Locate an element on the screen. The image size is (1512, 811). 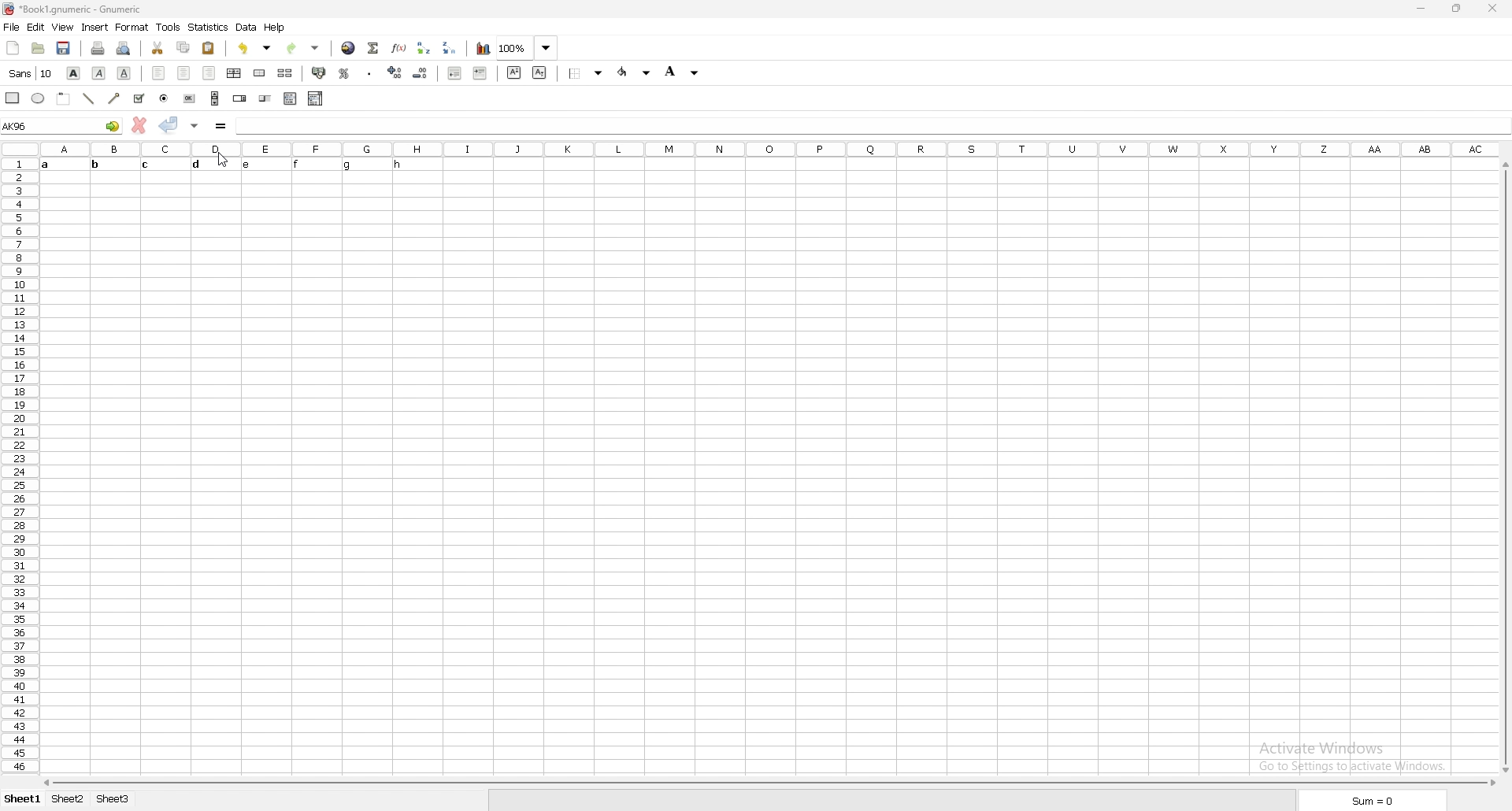
thousands separator is located at coordinates (370, 73).